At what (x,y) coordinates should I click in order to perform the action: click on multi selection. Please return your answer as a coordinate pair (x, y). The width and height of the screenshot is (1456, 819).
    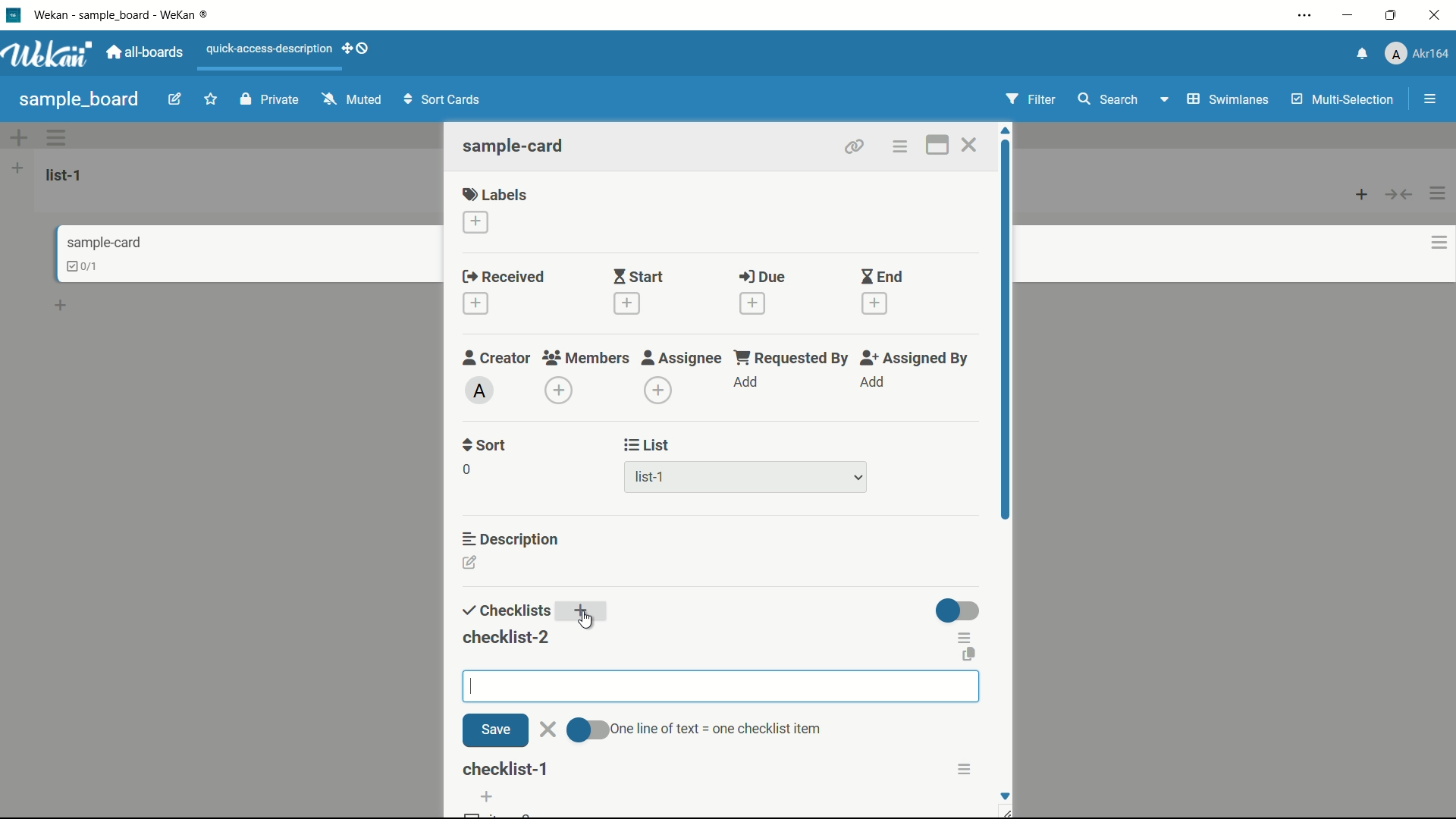
    Looking at the image, I should click on (1345, 101).